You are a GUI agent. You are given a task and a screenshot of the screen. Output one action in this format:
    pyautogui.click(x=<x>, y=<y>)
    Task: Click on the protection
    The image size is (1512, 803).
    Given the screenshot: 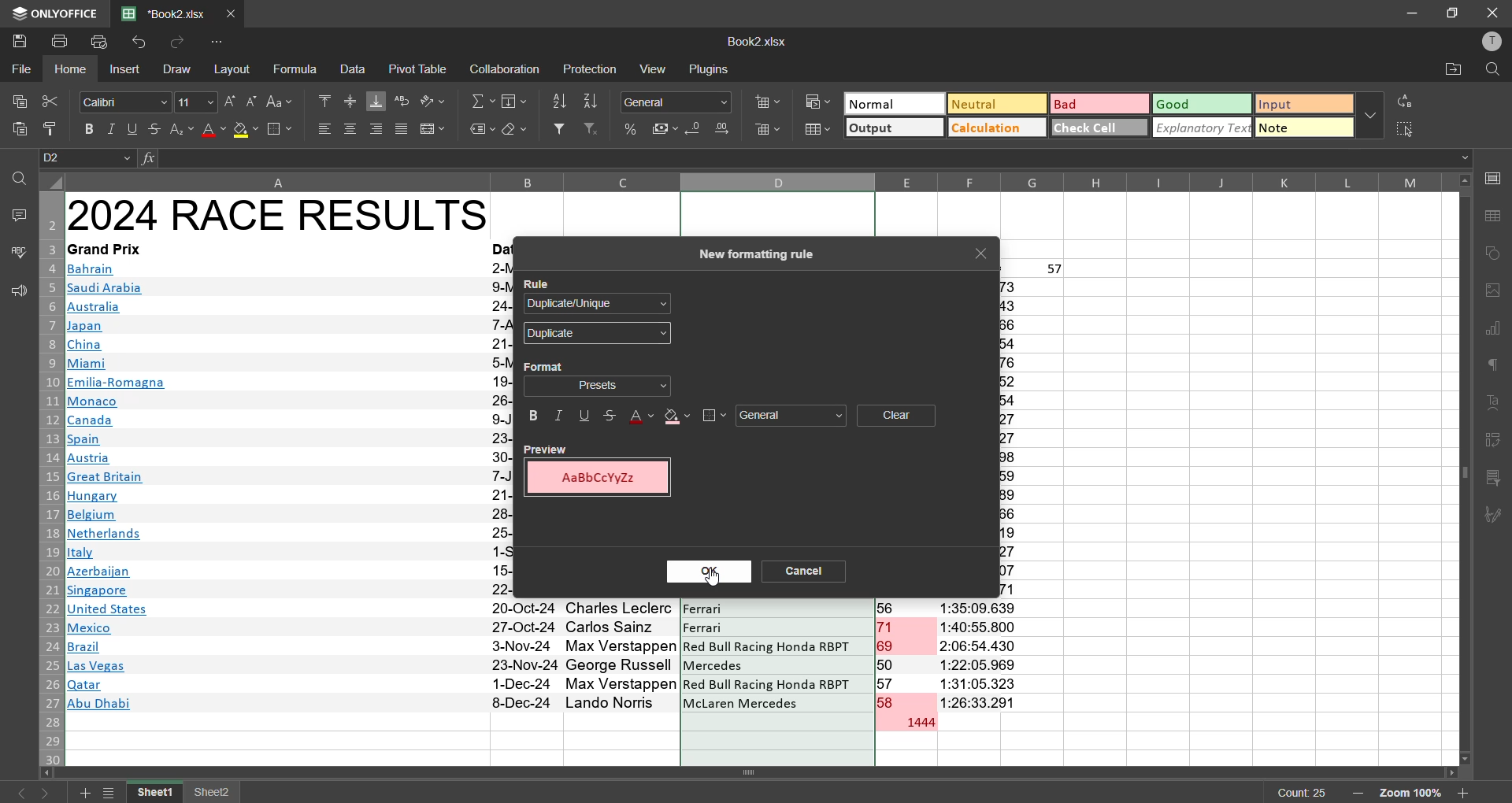 What is the action you would take?
    pyautogui.click(x=592, y=71)
    